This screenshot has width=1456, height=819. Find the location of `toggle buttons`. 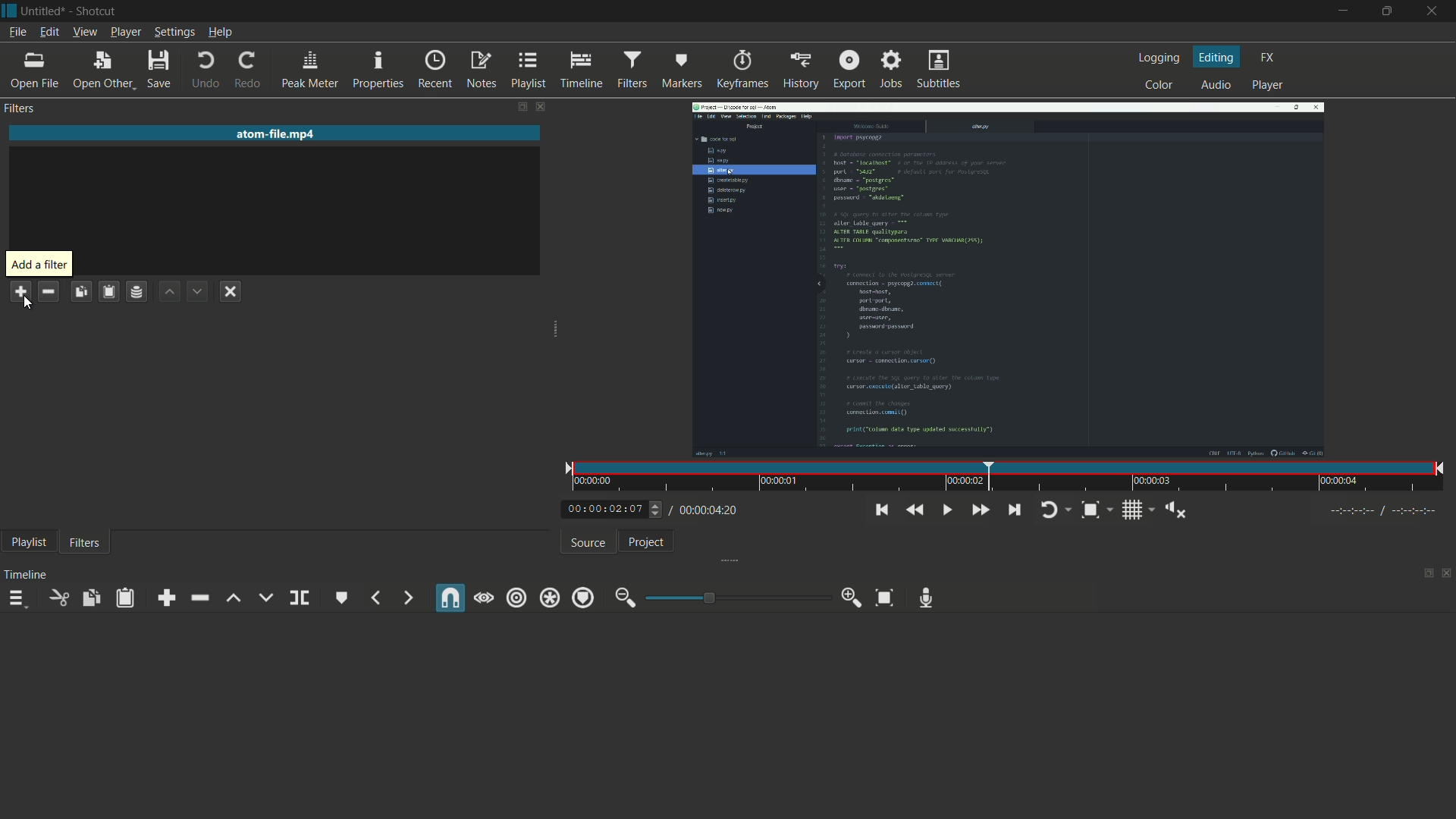

toggle buttons is located at coordinates (657, 510).